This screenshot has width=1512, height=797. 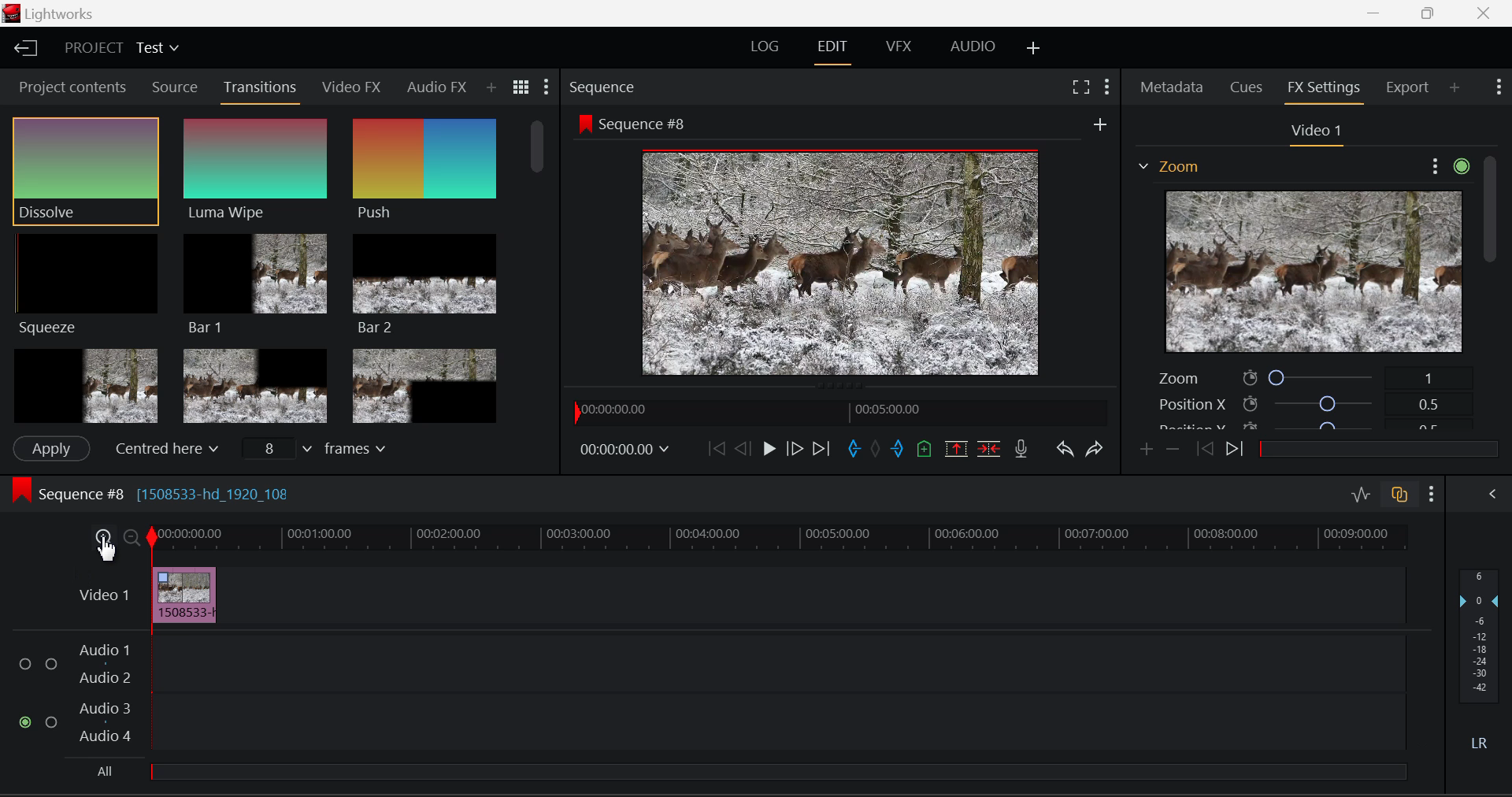 What do you see at coordinates (750, 771) in the screenshot?
I see `All` at bounding box center [750, 771].